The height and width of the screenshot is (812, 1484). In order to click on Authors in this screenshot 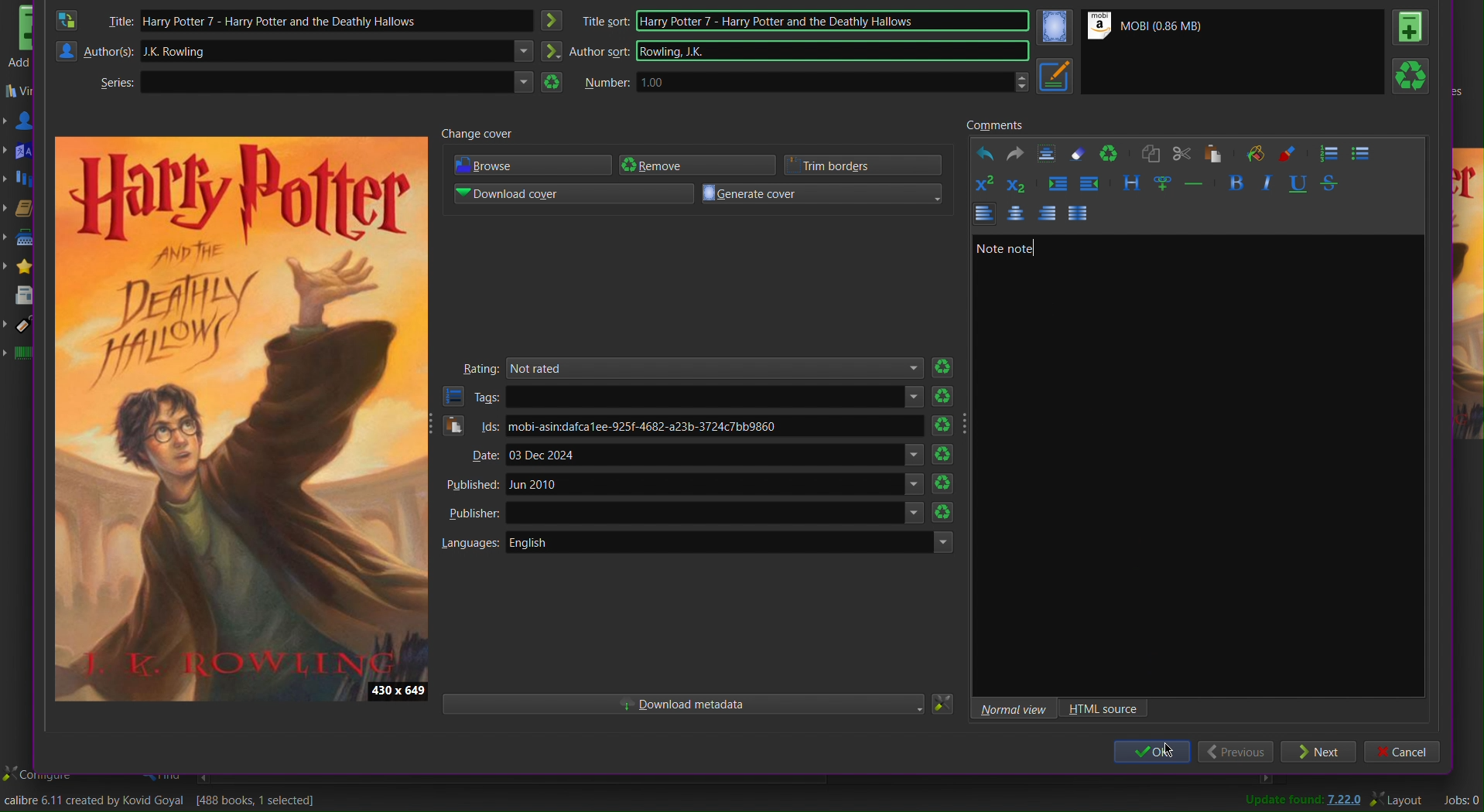, I will do `click(94, 50)`.